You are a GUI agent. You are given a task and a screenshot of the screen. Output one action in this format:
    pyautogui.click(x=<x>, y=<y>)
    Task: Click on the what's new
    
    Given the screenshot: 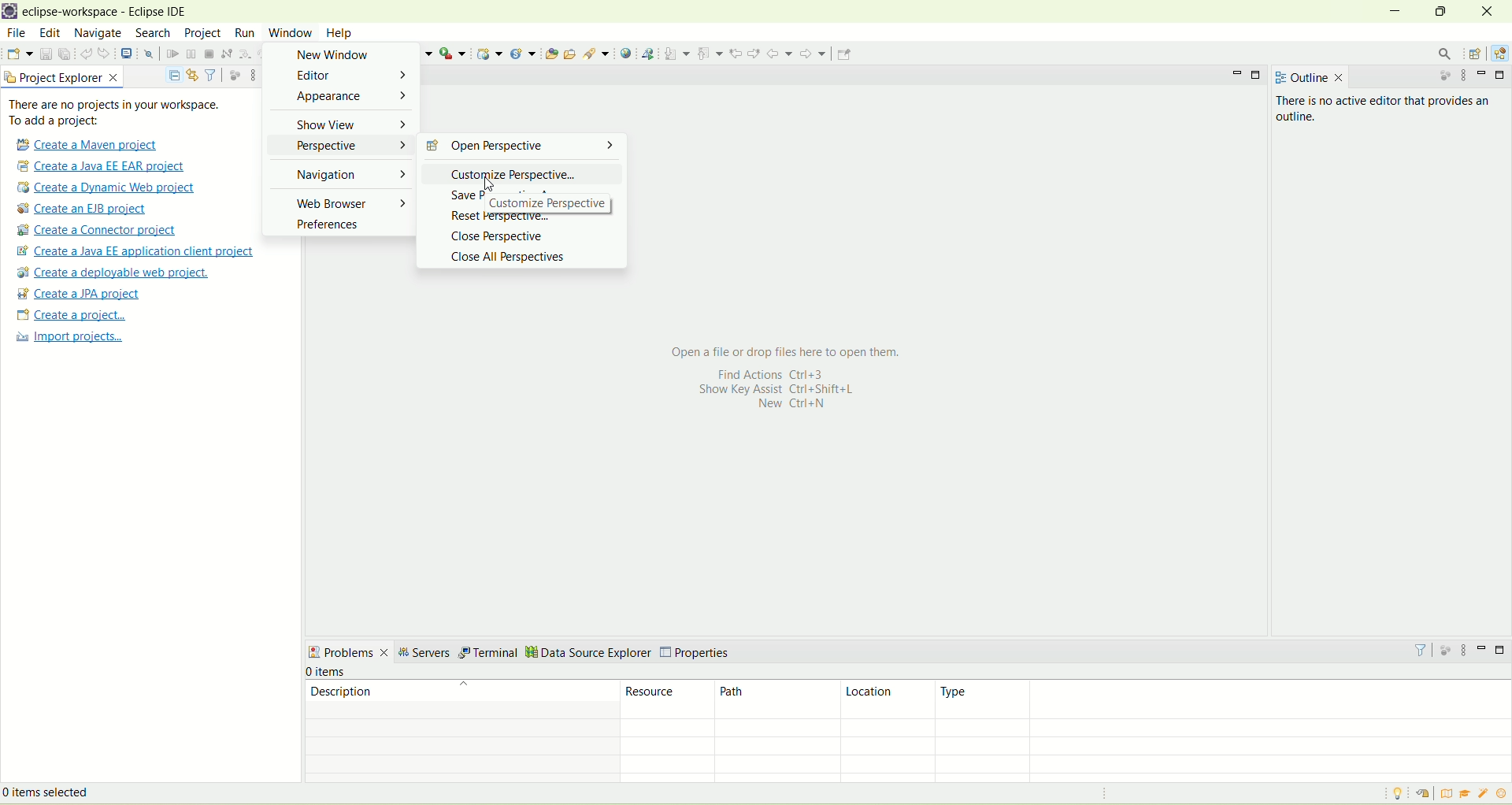 What is the action you would take?
    pyautogui.click(x=1503, y=794)
    